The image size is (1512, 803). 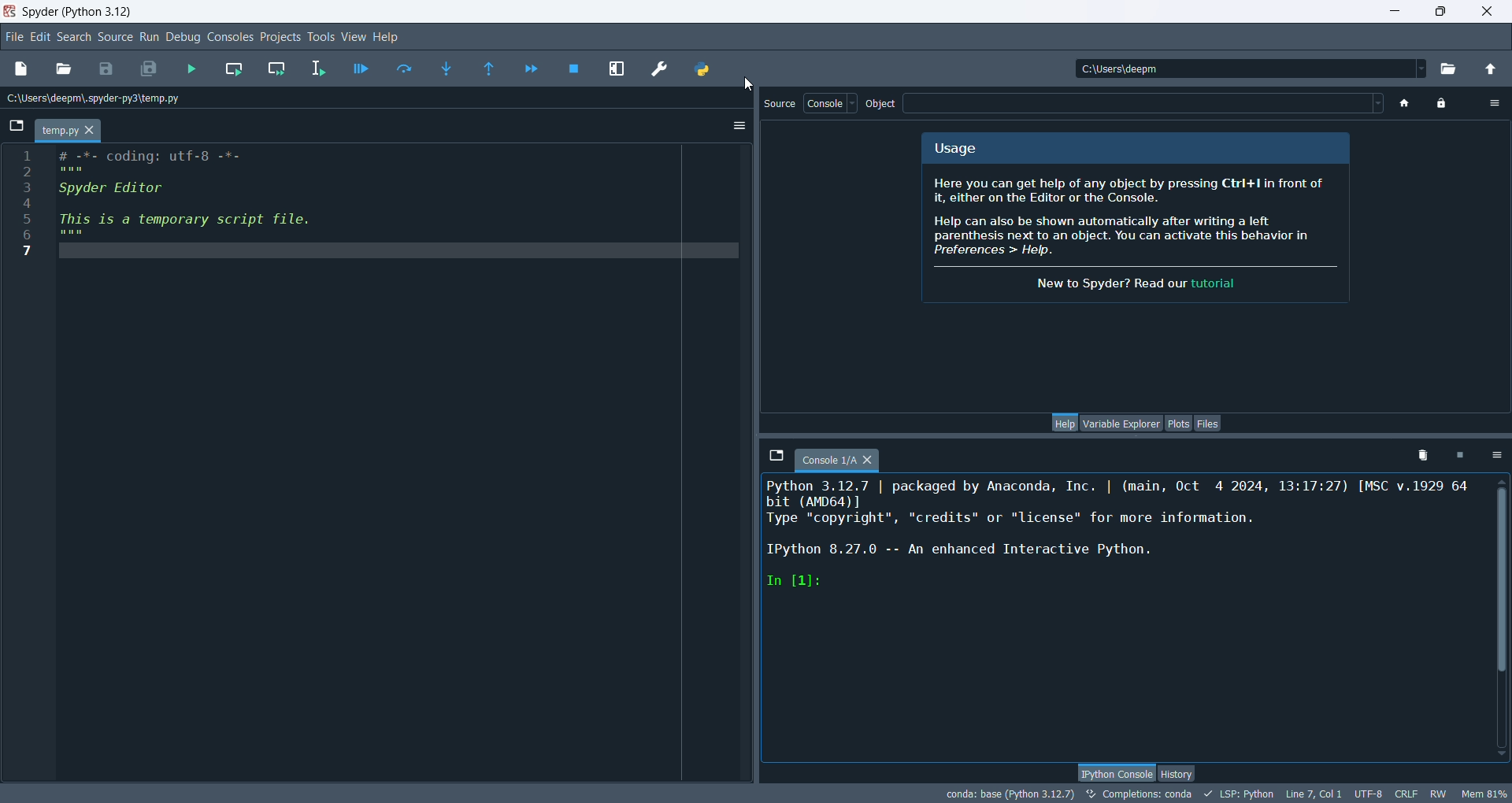 What do you see at coordinates (231, 38) in the screenshot?
I see `console` at bounding box center [231, 38].